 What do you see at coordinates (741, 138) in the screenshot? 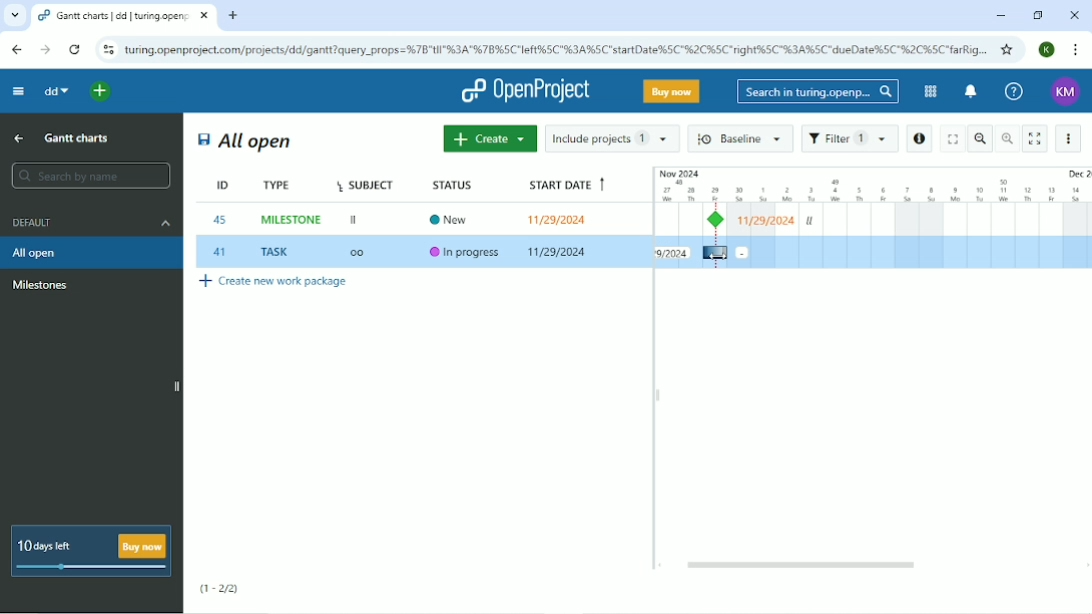
I see `Baseline` at bounding box center [741, 138].